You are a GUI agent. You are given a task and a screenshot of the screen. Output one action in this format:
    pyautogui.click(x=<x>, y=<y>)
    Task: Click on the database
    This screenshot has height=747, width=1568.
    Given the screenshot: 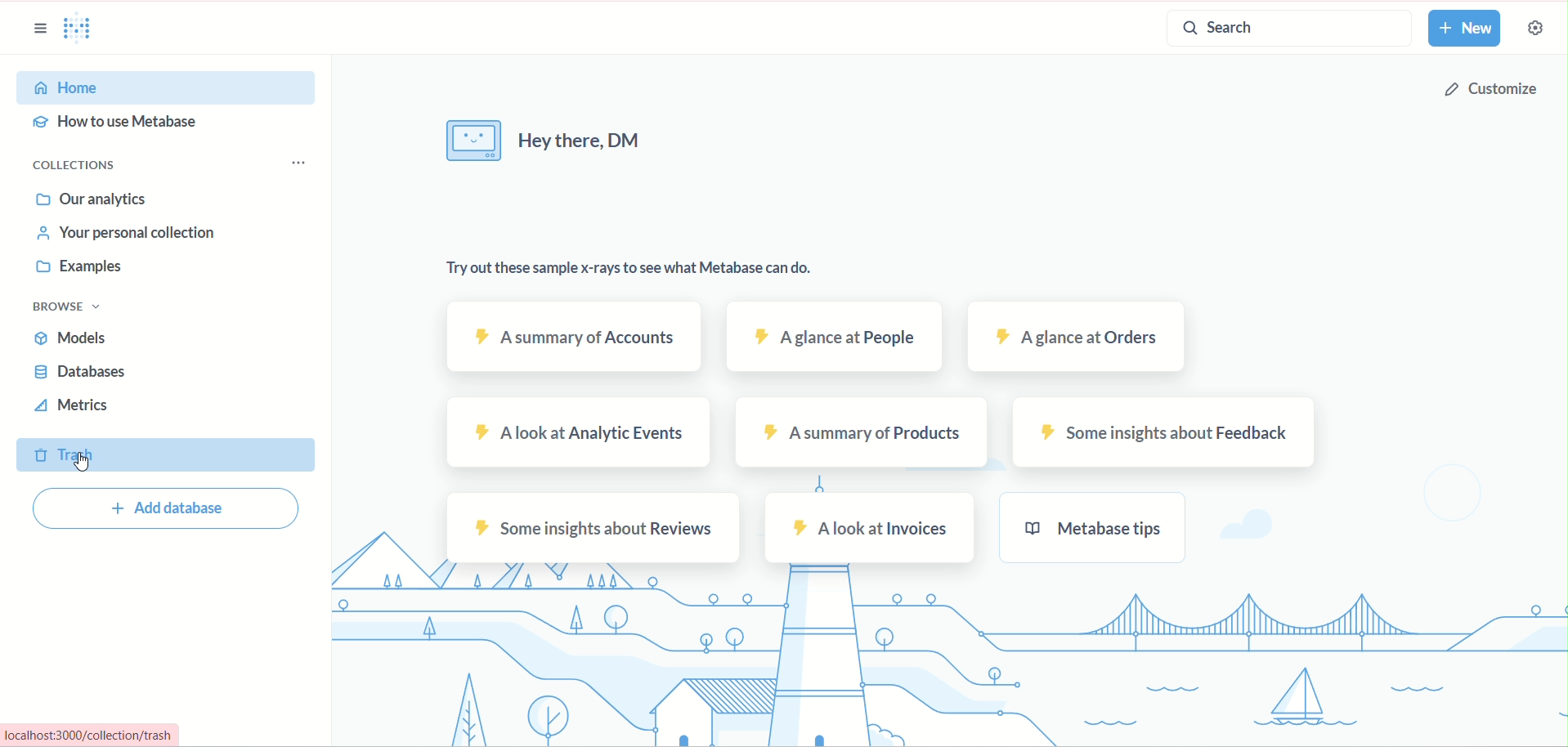 What is the action you would take?
    pyautogui.click(x=81, y=371)
    